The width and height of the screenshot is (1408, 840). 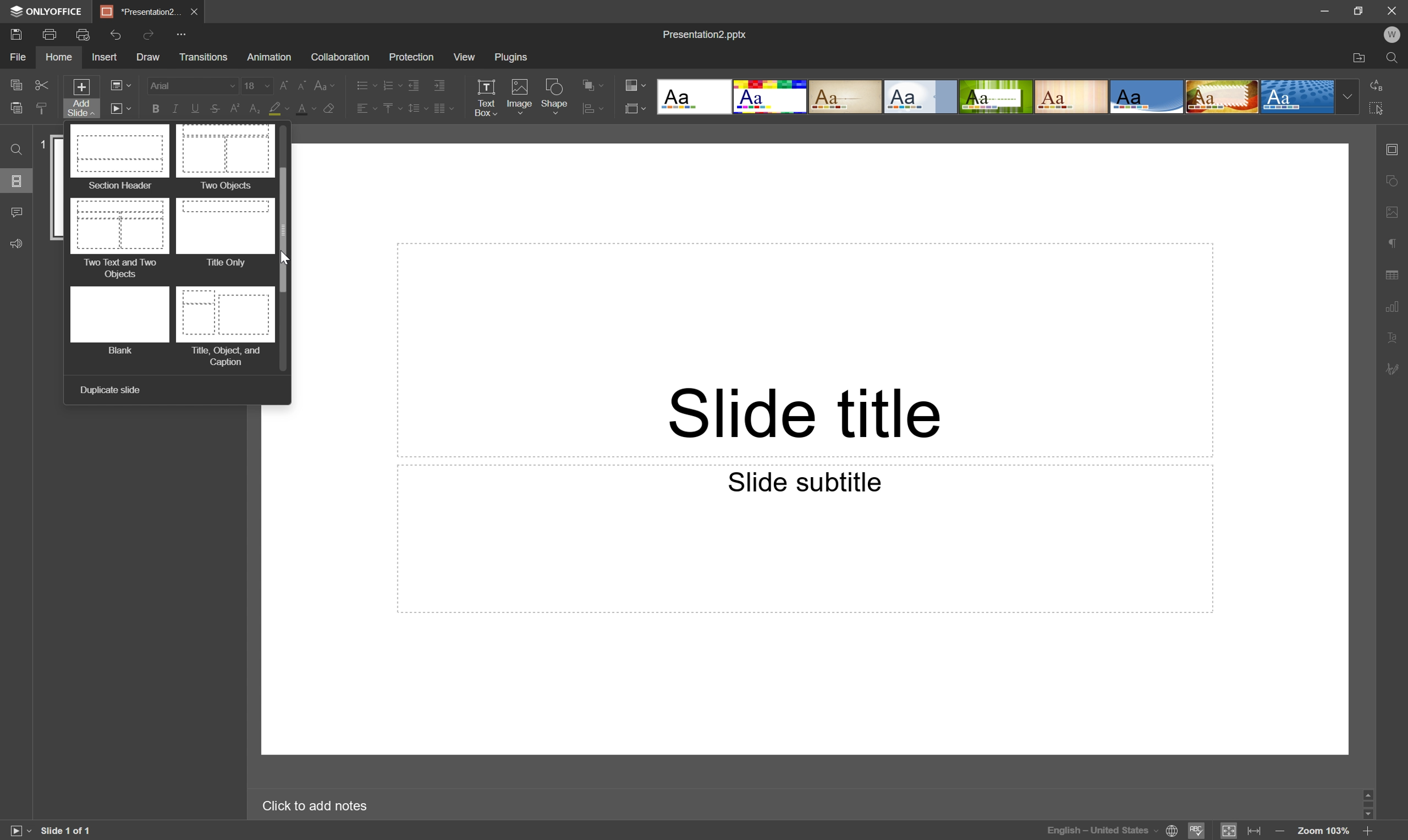 What do you see at coordinates (322, 804) in the screenshot?
I see `Click to add notes` at bounding box center [322, 804].